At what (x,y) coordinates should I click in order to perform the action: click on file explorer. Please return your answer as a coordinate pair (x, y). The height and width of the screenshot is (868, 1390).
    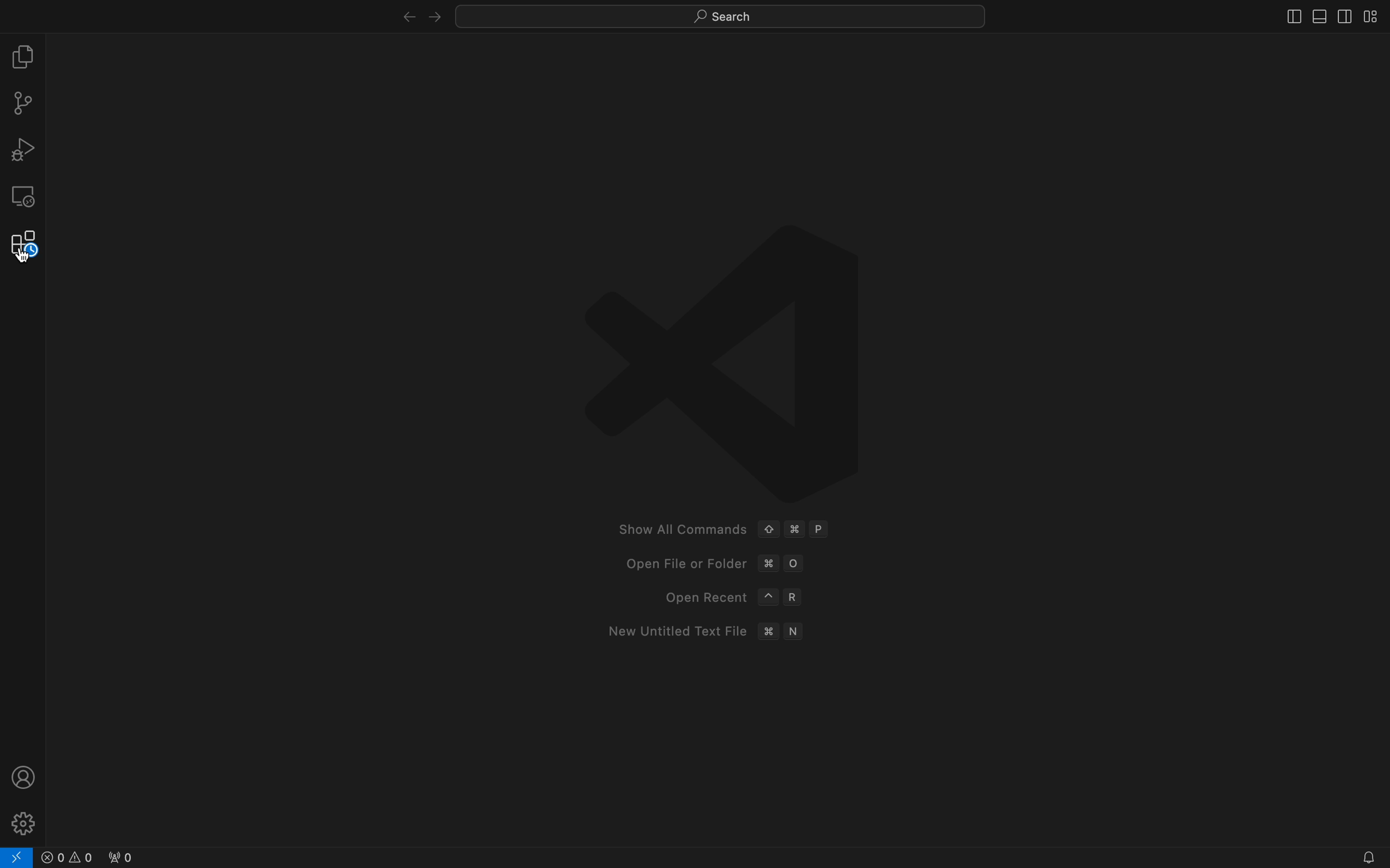
    Looking at the image, I should click on (25, 56).